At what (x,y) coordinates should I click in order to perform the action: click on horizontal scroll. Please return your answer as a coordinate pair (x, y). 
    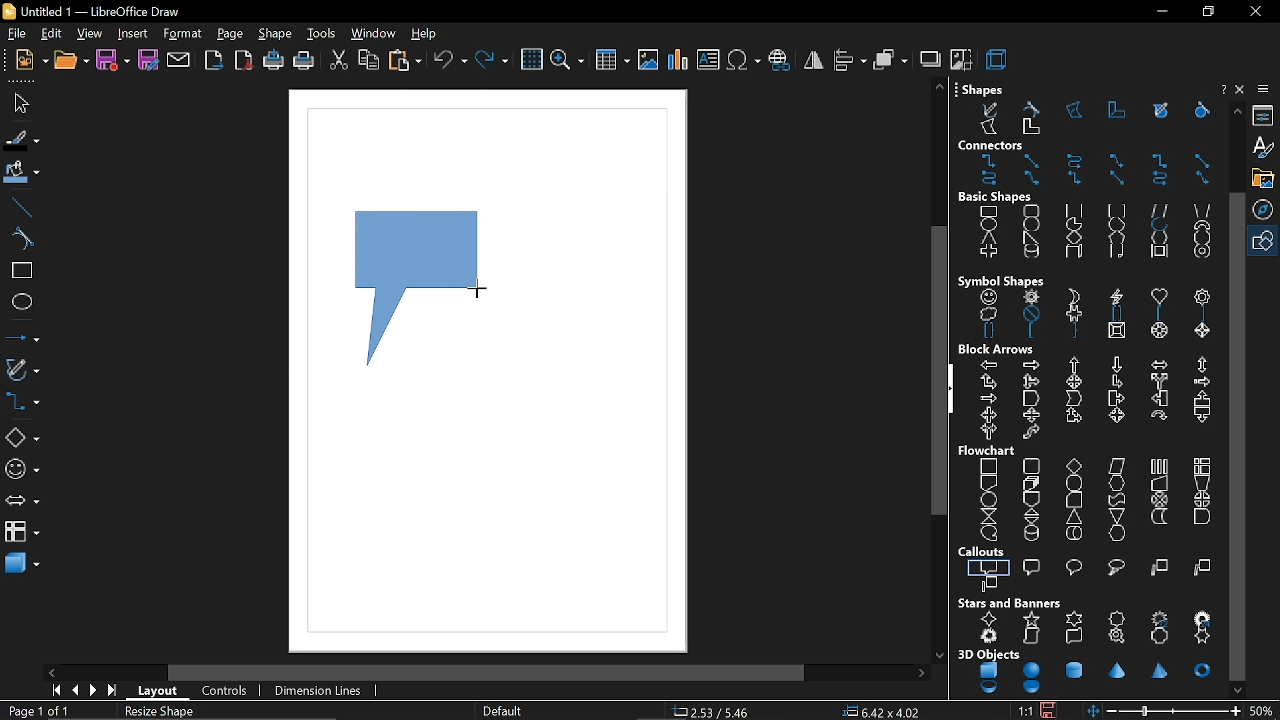
    Looking at the image, I should click on (1072, 636).